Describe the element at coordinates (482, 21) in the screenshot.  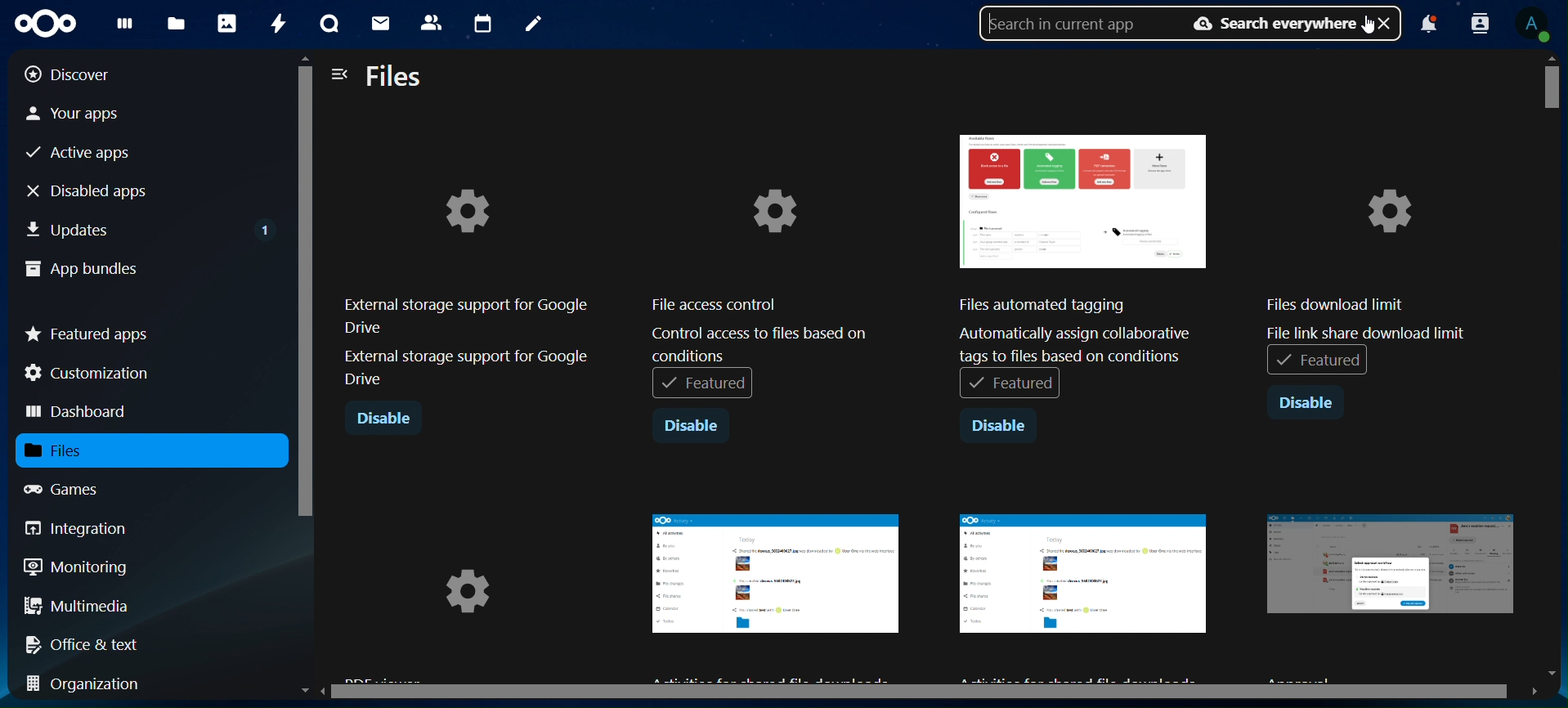
I see `calendar` at that location.